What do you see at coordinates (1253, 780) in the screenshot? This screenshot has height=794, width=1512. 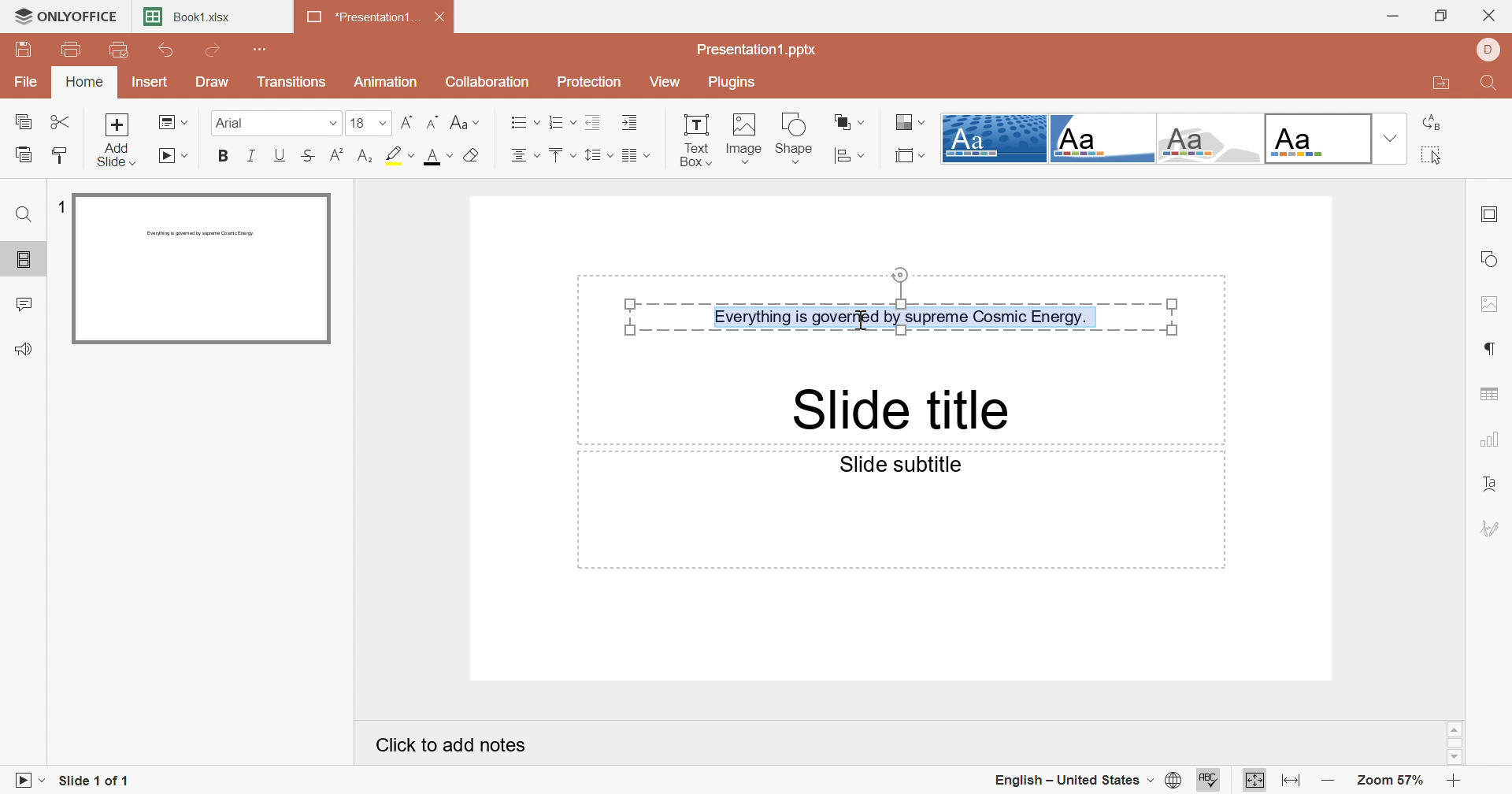 I see `Fit to slide` at bounding box center [1253, 780].